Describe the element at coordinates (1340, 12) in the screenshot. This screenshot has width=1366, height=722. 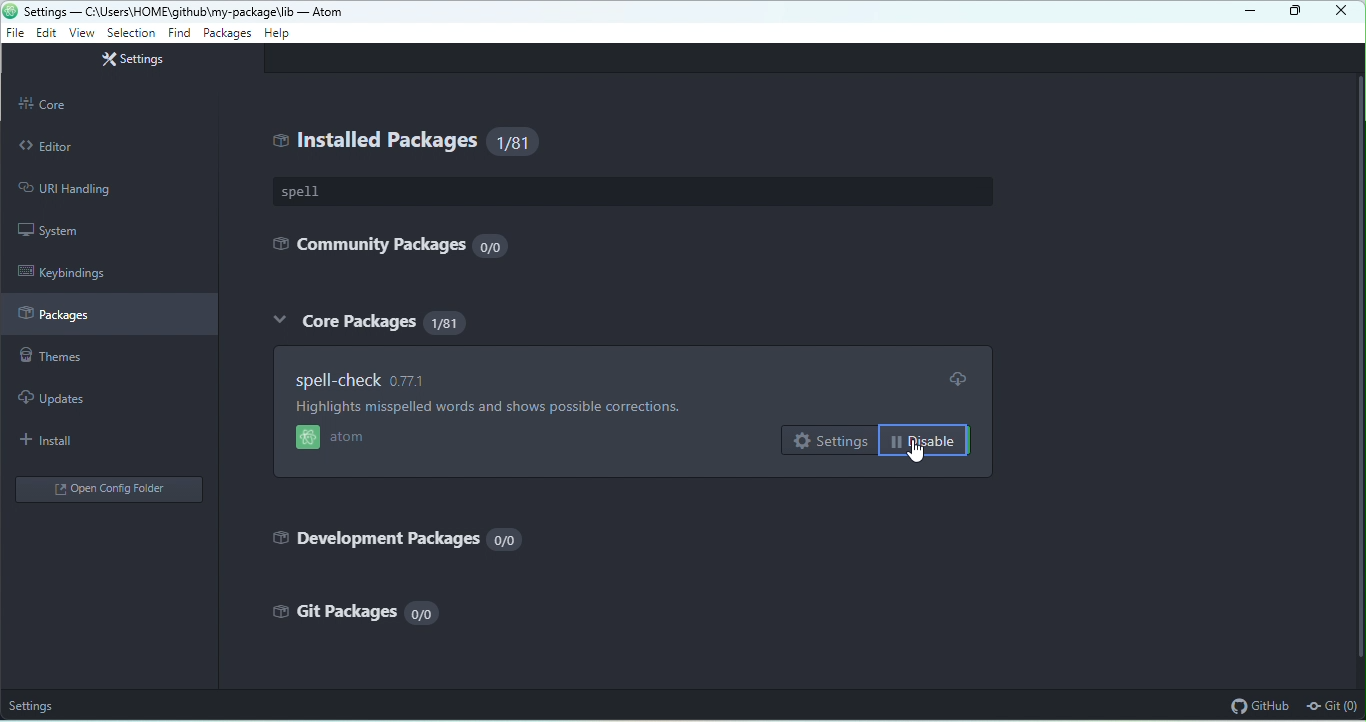
I see `close` at that location.